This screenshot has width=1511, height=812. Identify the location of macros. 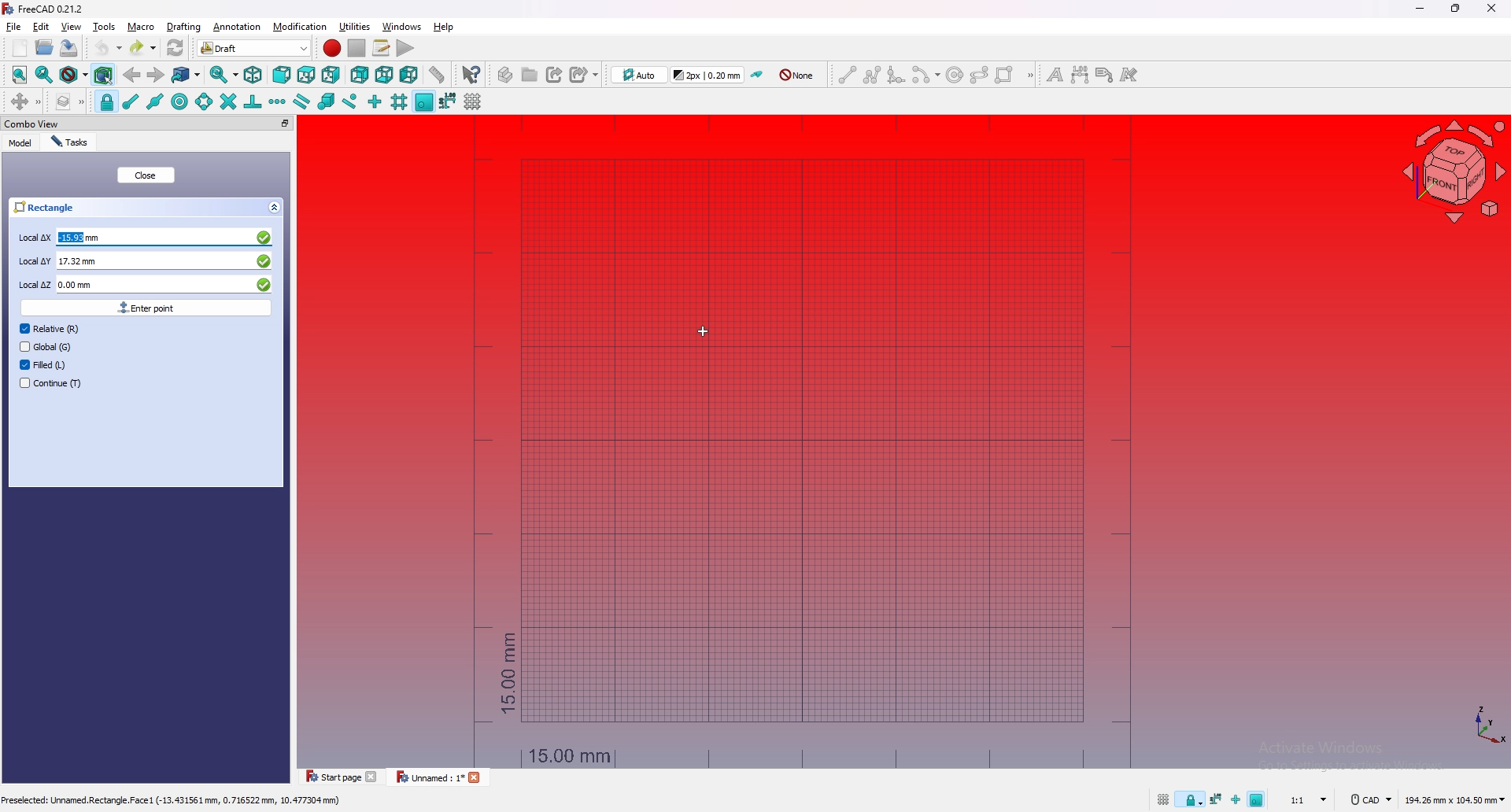
(382, 48).